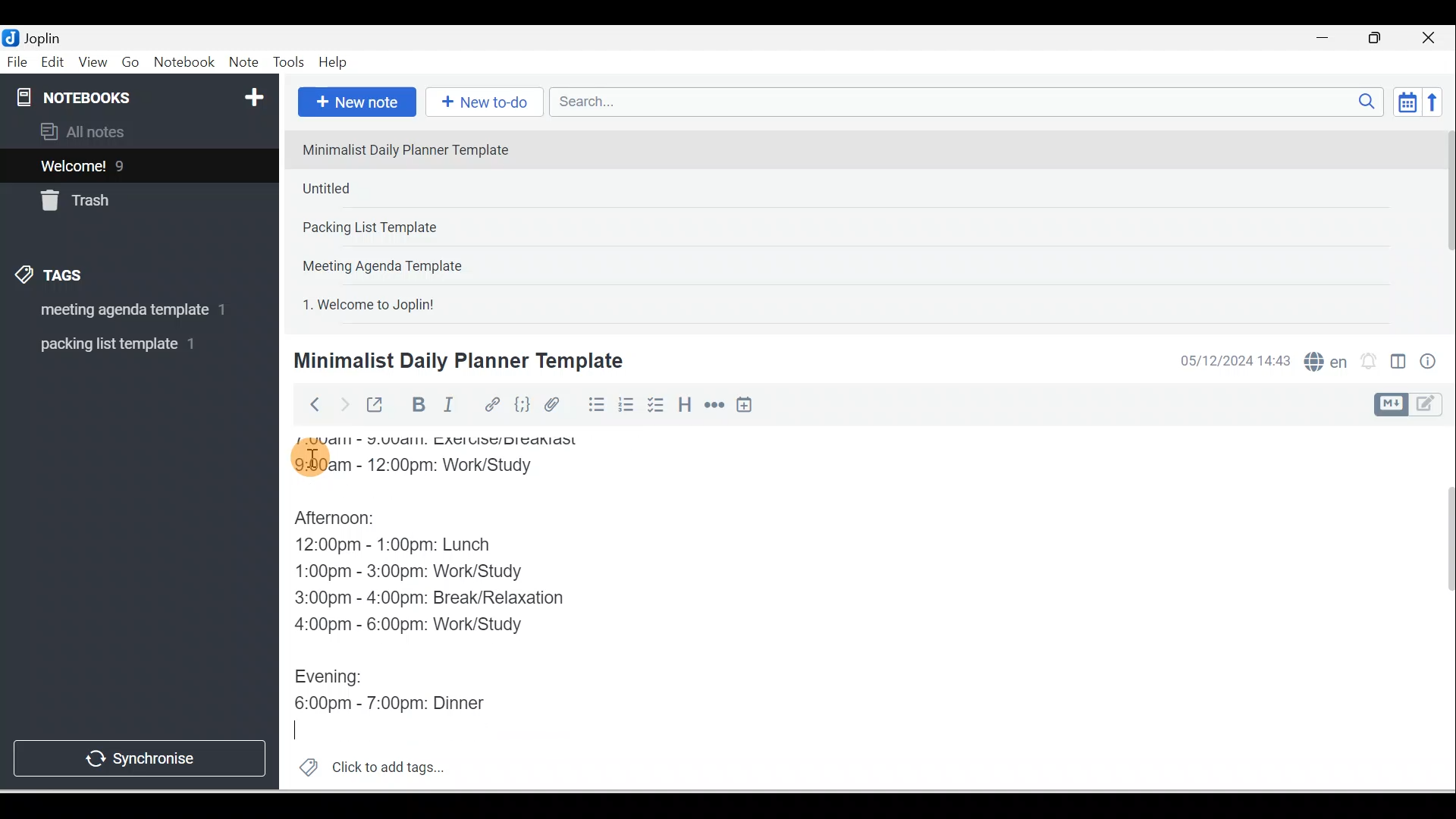 The width and height of the screenshot is (1456, 819). Describe the element at coordinates (54, 278) in the screenshot. I see `Tags` at that location.